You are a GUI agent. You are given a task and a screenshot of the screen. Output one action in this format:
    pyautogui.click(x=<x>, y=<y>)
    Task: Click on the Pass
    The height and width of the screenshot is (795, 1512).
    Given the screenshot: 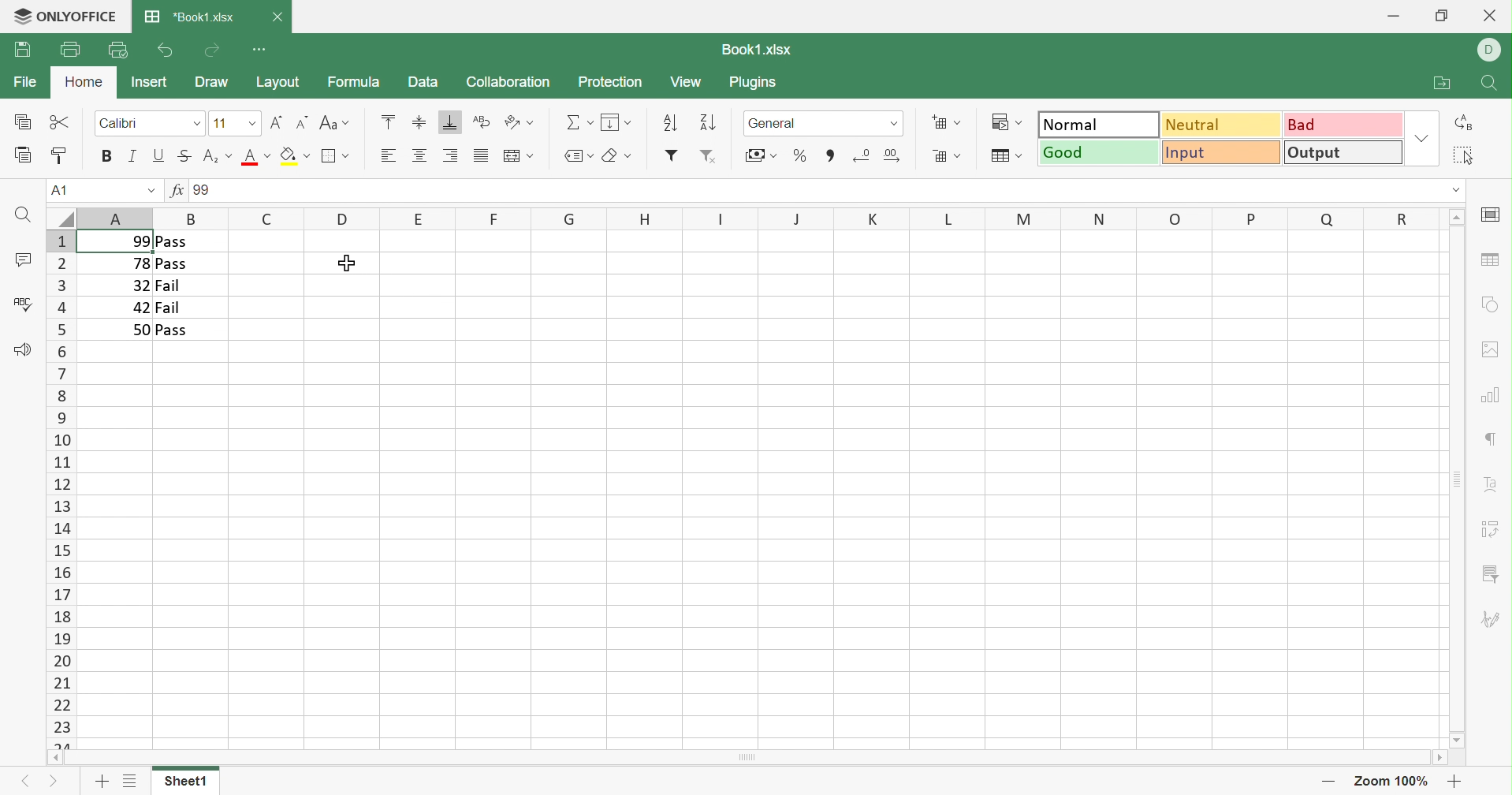 What is the action you would take?
    pyautogui.click(x=171, y=241)
    